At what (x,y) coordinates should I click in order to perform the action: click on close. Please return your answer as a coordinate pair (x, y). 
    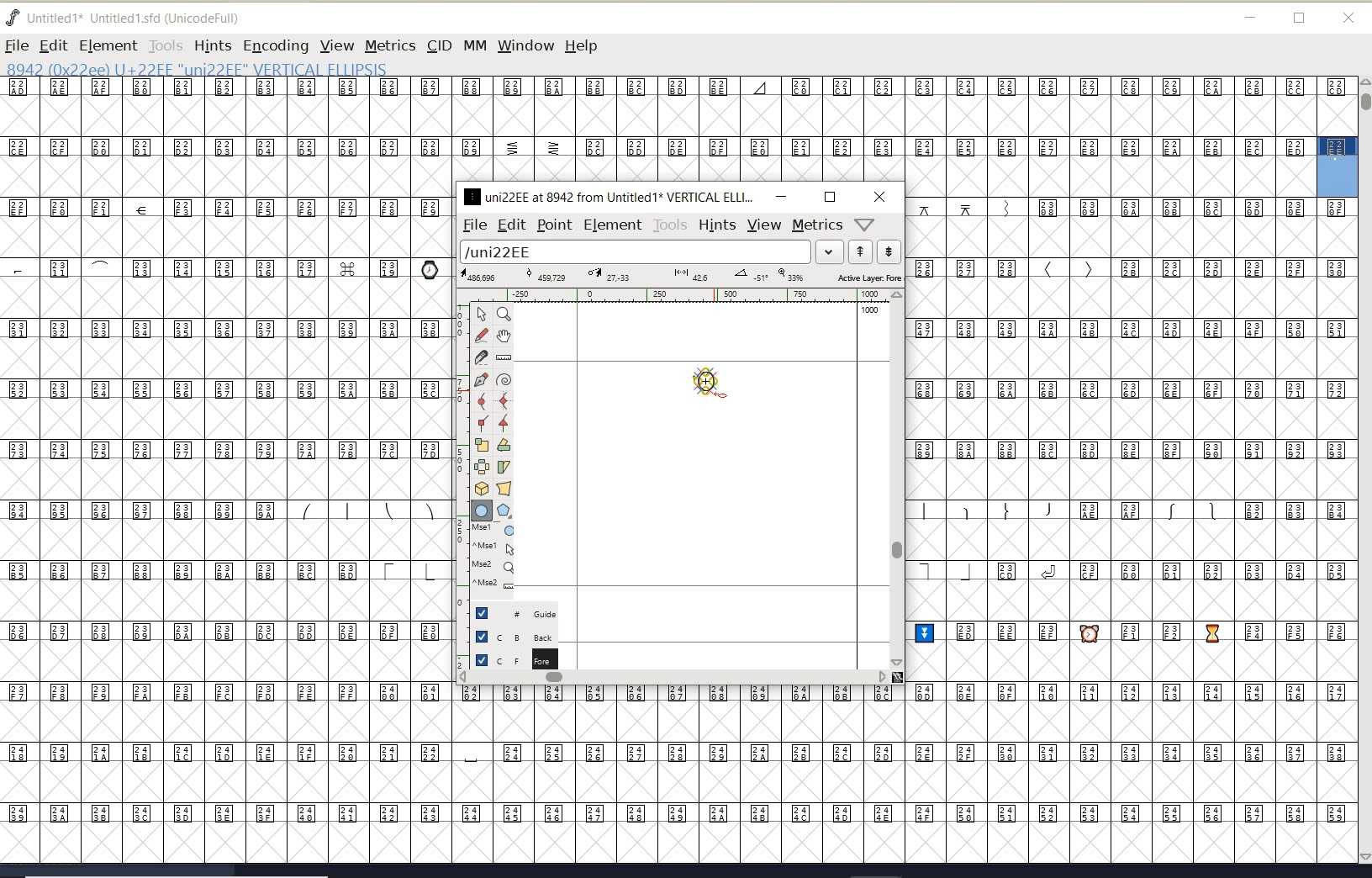
    Looking at the image, I should click on (1348, 19).